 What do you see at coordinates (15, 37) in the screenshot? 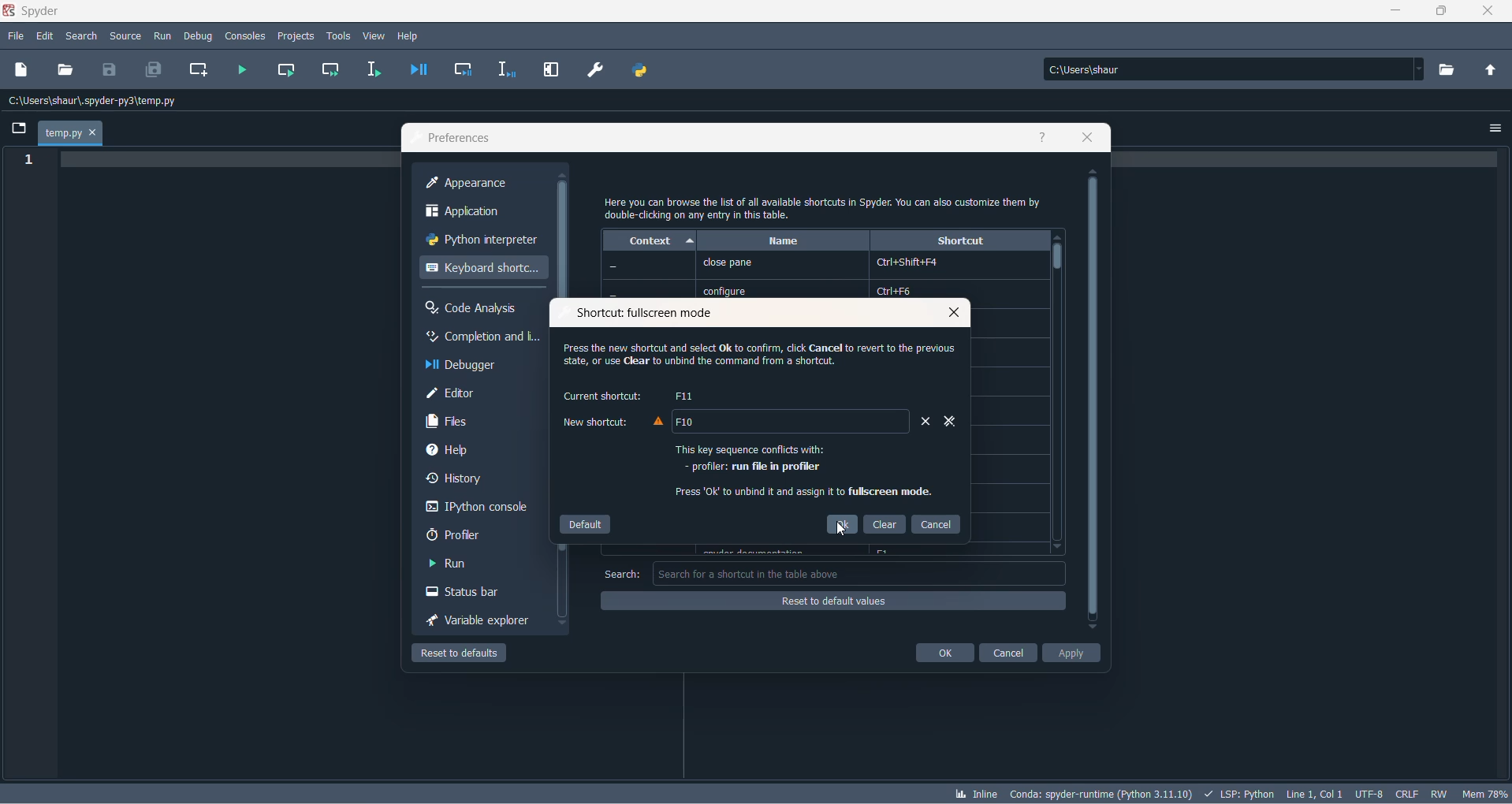
I see `file` at bounding box center [15, 37].